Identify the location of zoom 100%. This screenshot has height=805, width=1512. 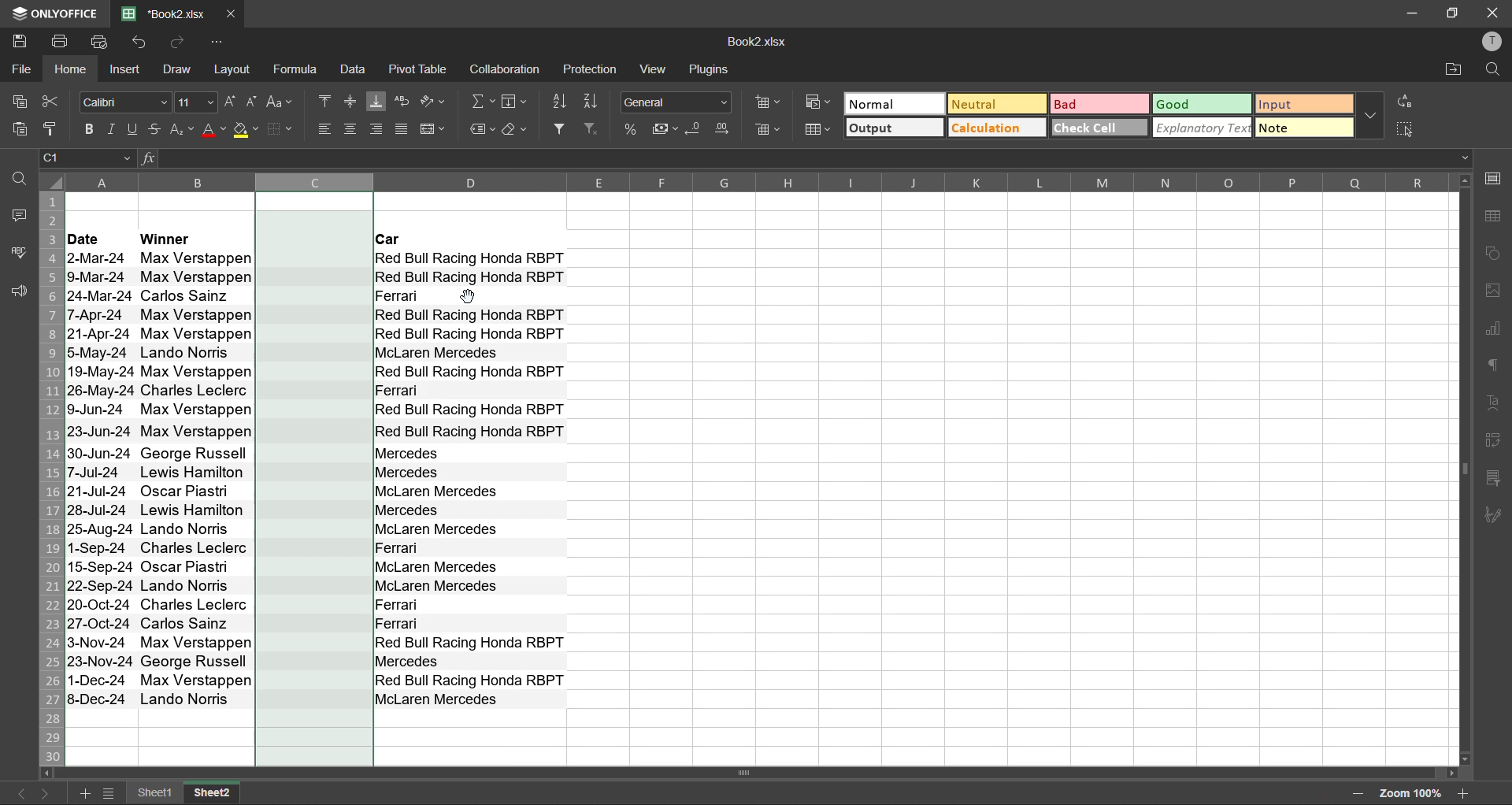
(1410, 793).